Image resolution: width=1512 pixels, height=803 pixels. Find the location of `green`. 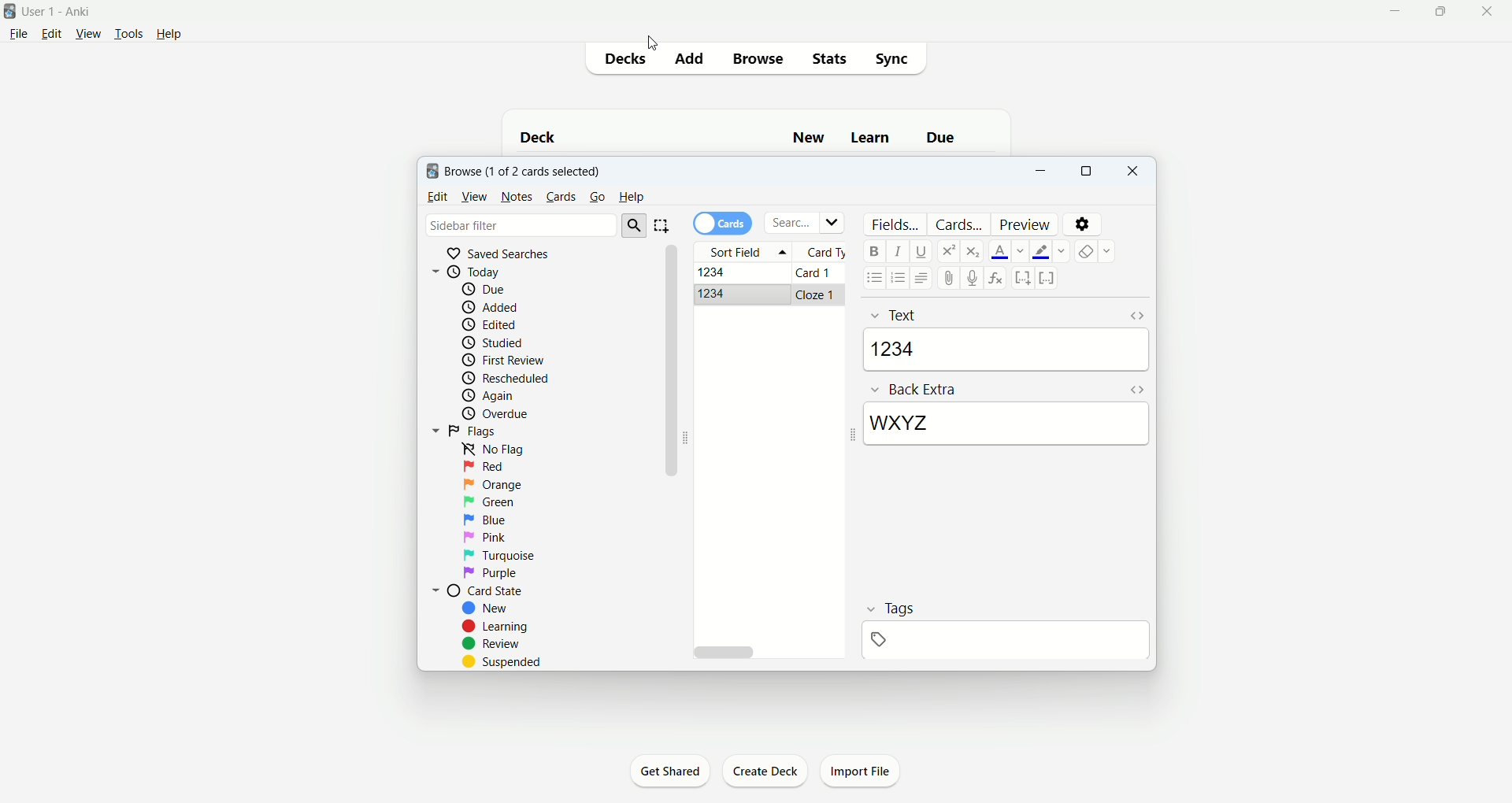

green is located at coordinates (489, 502).